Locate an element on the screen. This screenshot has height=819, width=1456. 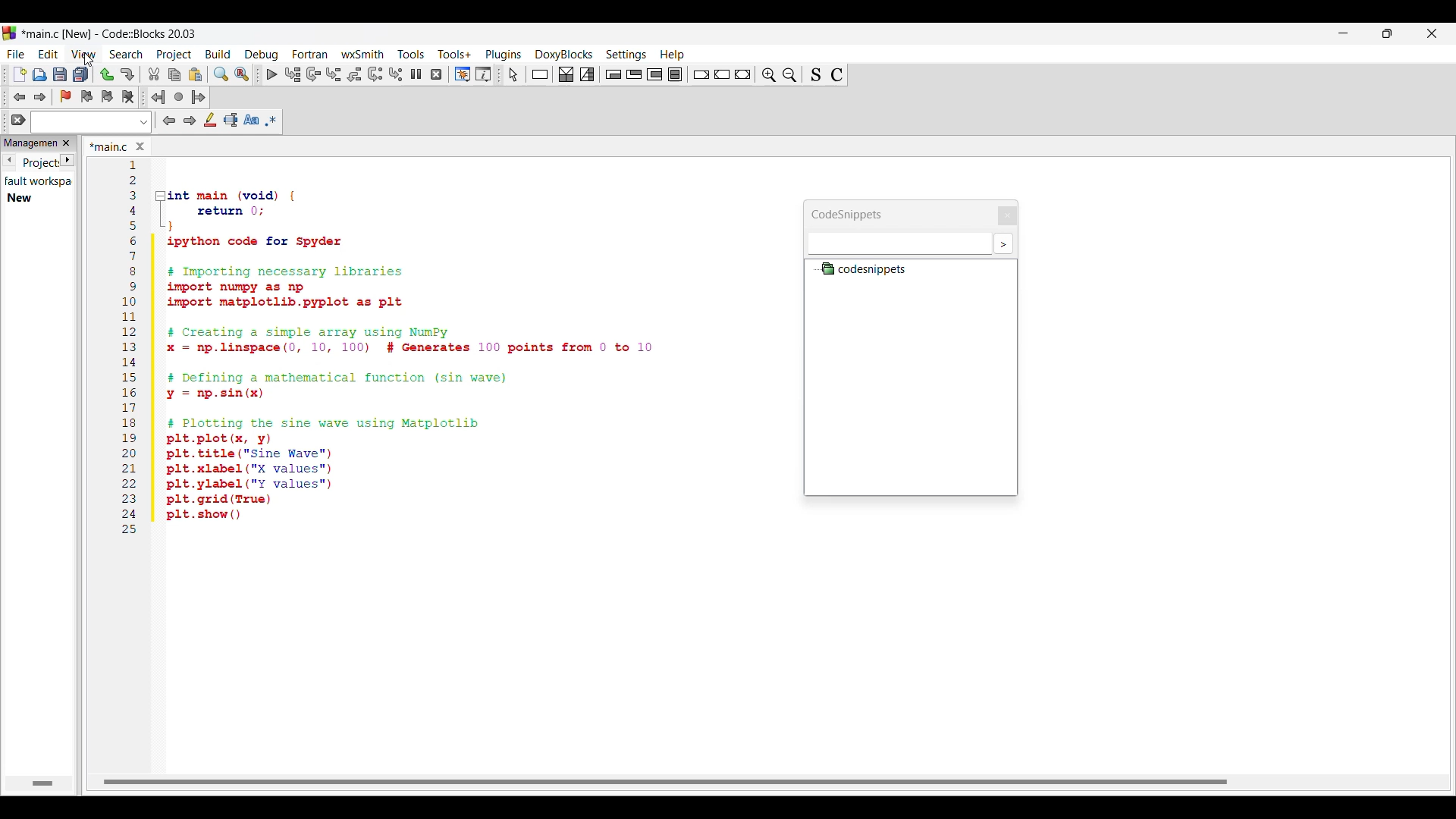
Paste is located at coordinates (196, 74).